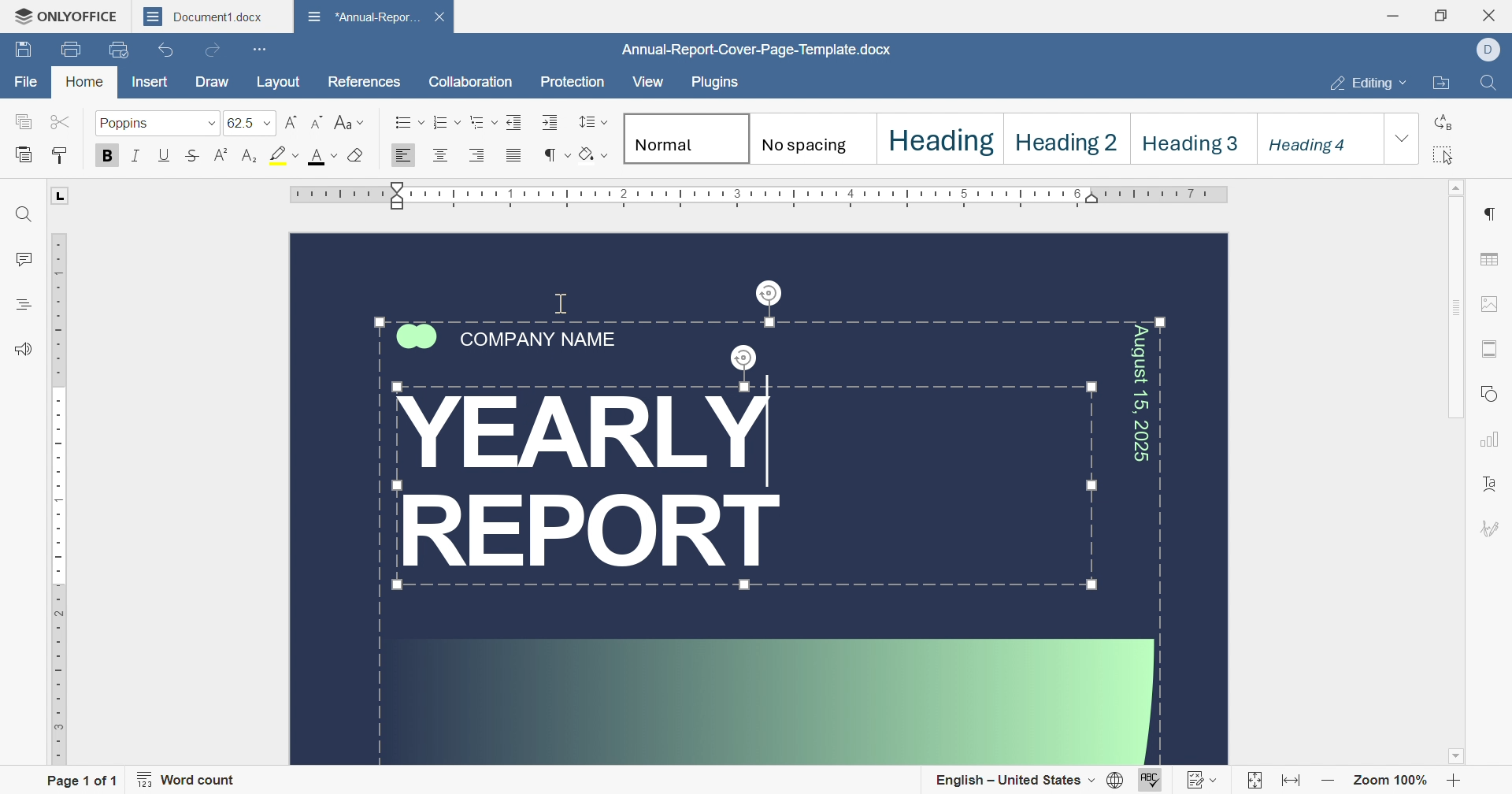 Image resolution: width=1512 pixels, height=794 pixels. What do you see at coordinates (362, 16) in the screenshot?
I see `Document name` at bounding box center [362, 16].